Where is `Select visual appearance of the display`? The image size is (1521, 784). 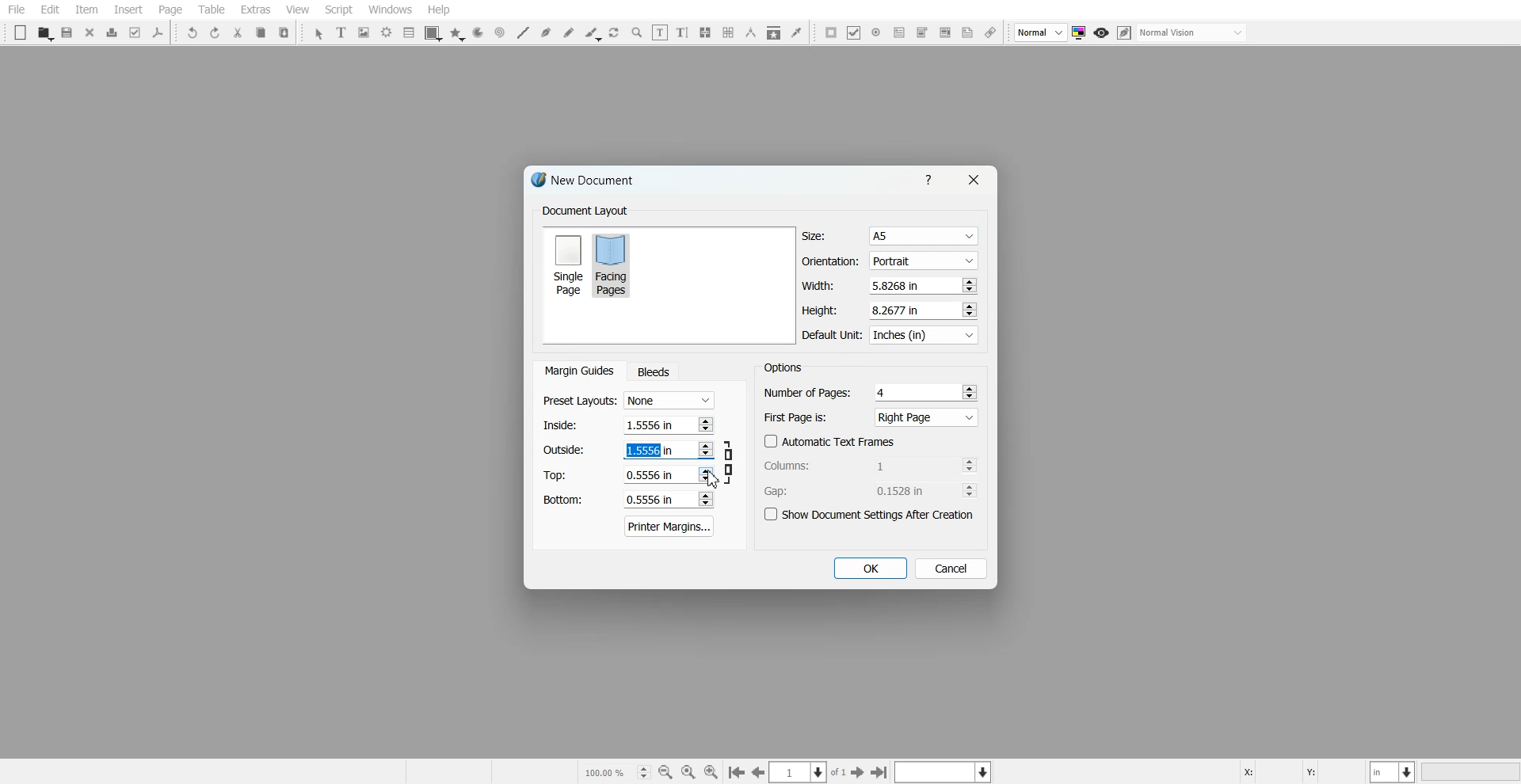
Select visual appearance of the display is located at coordinates (1193, 33).